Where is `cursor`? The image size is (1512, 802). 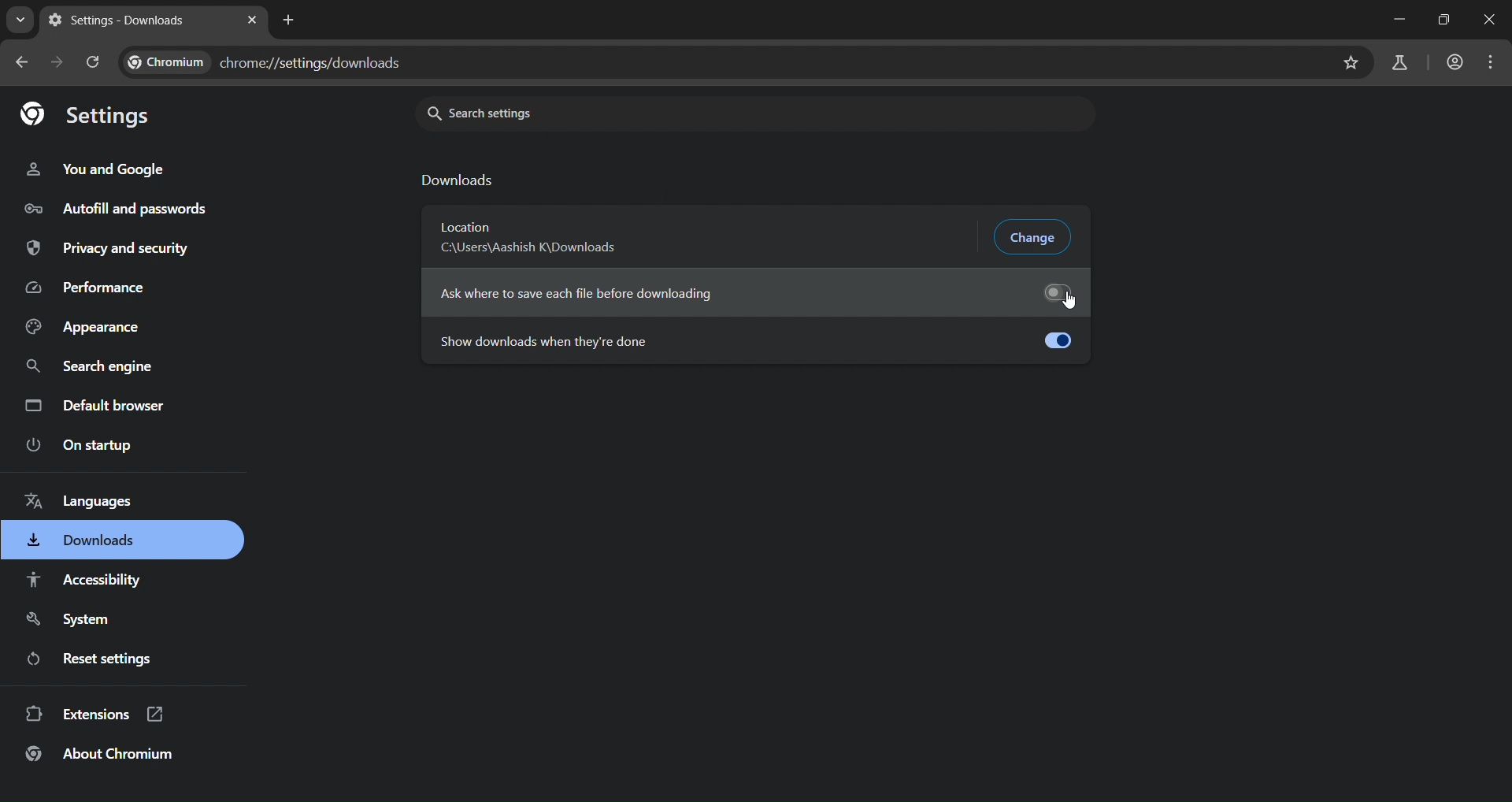 cursor is located at coordinates (1073, 303).